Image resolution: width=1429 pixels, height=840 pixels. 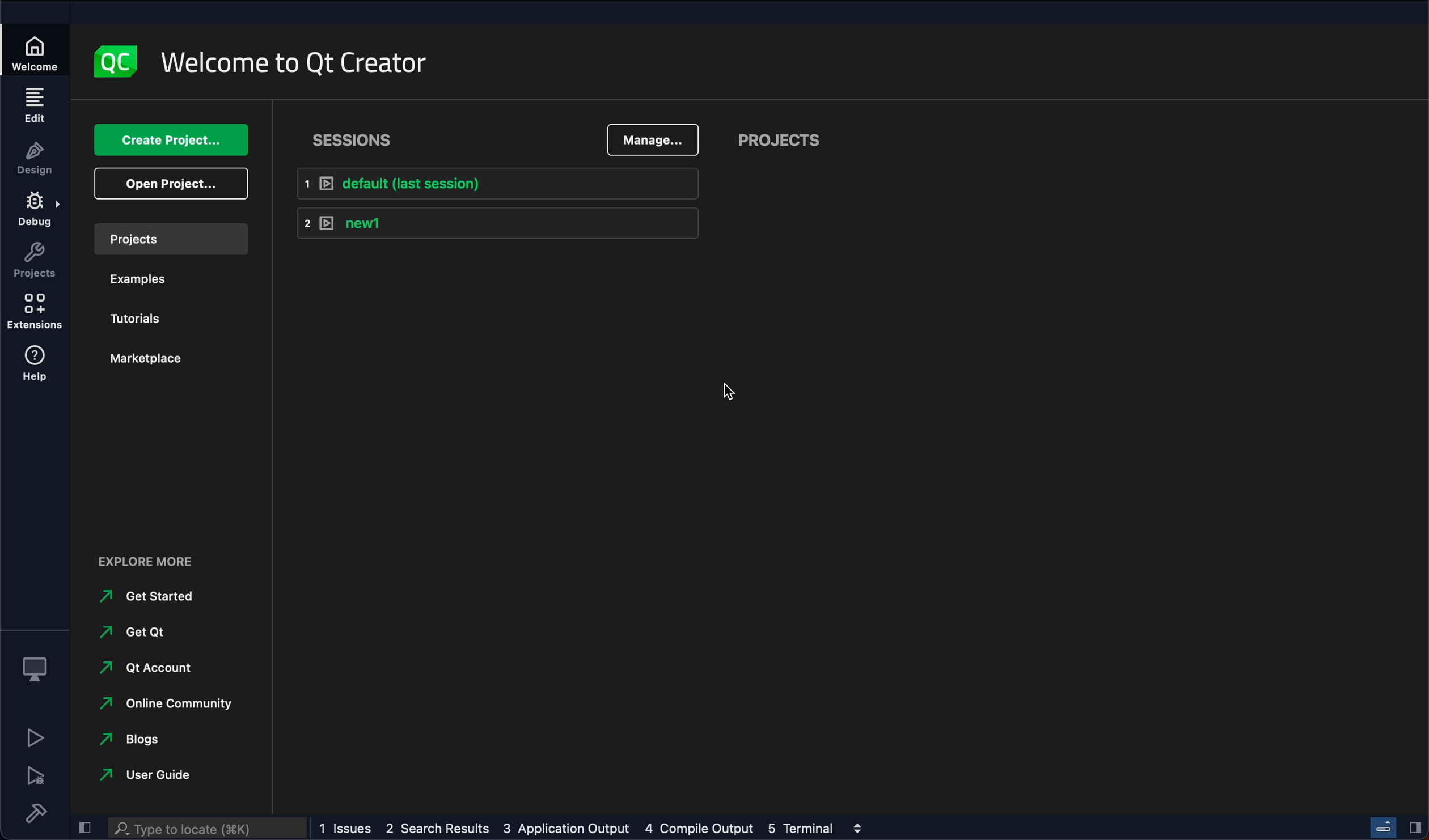 What do you see at coordinates (497, 226) in the screenshot?
I see `new1` at bounding box center [497, 226].